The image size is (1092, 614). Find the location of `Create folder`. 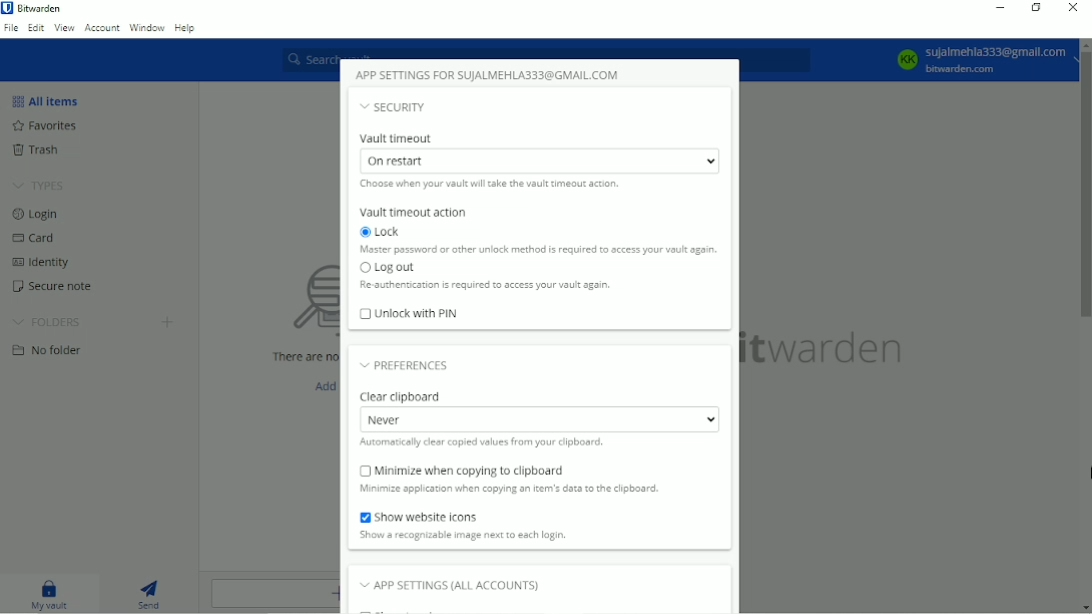

Create folder is located at coordinates (169, 321).